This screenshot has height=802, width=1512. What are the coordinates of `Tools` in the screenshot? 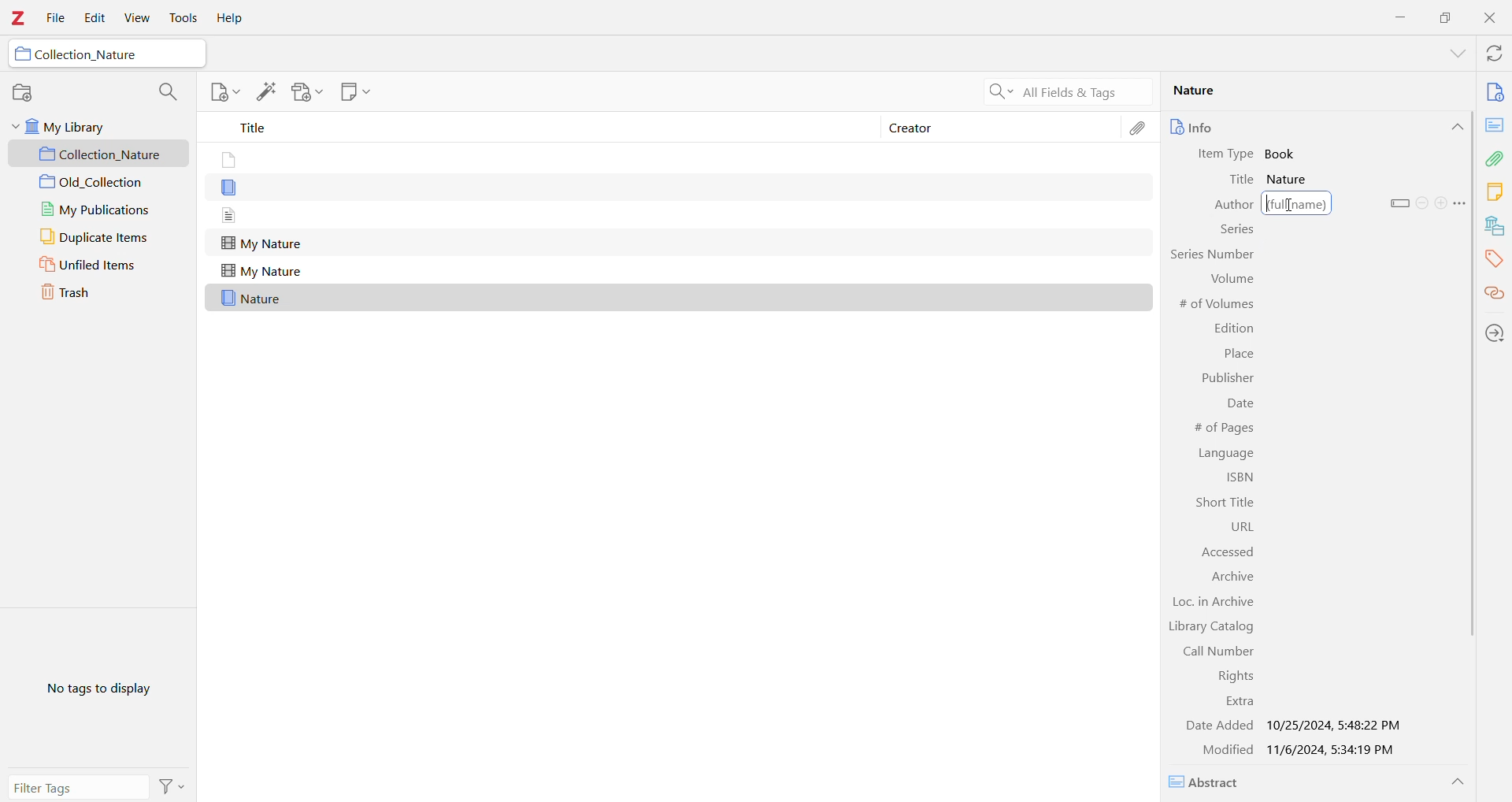 It's located at (182, 18).